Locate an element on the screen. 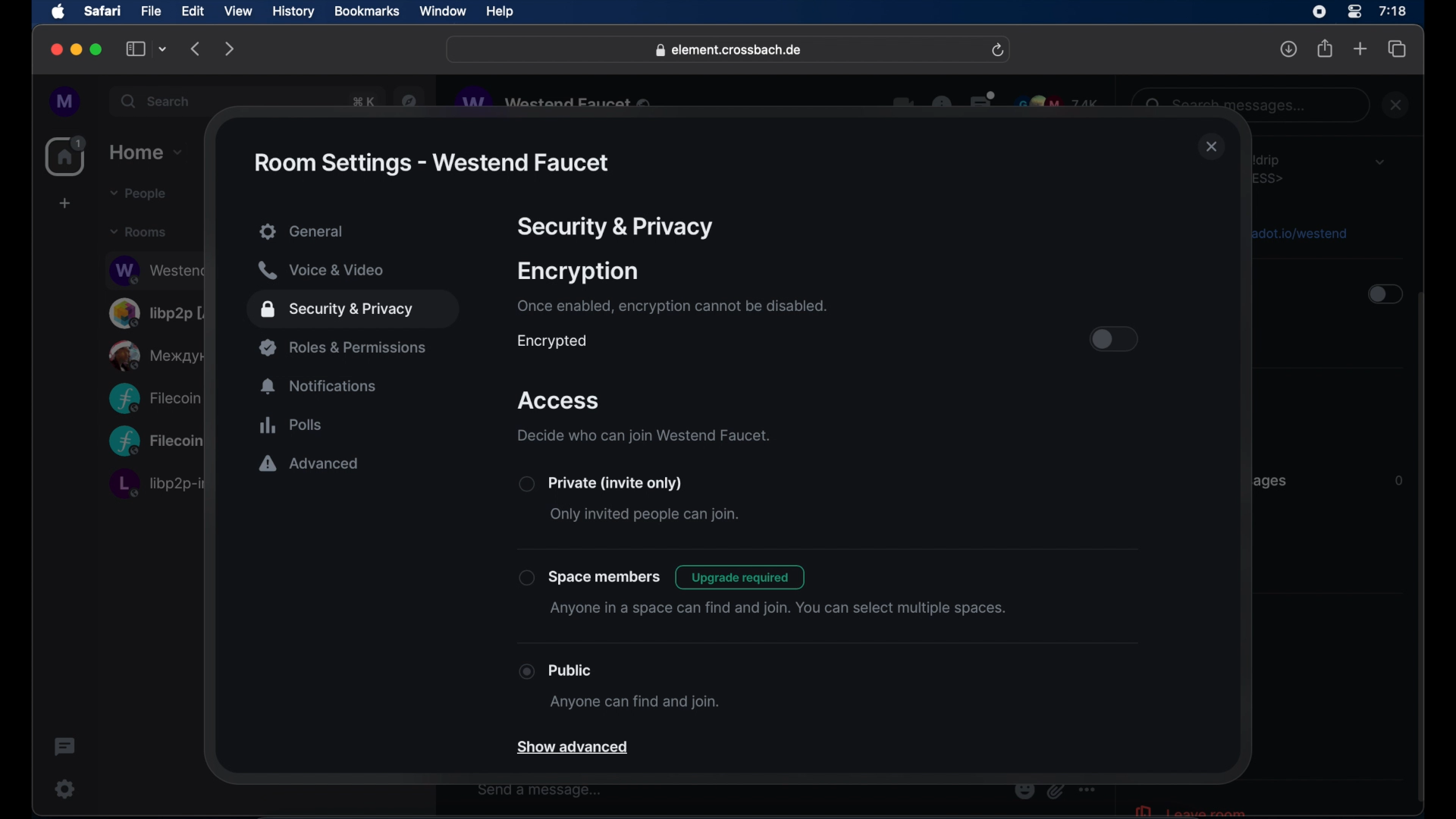 This screenshot has height=819, width=1456. backward is located at coordinates (196, 49).